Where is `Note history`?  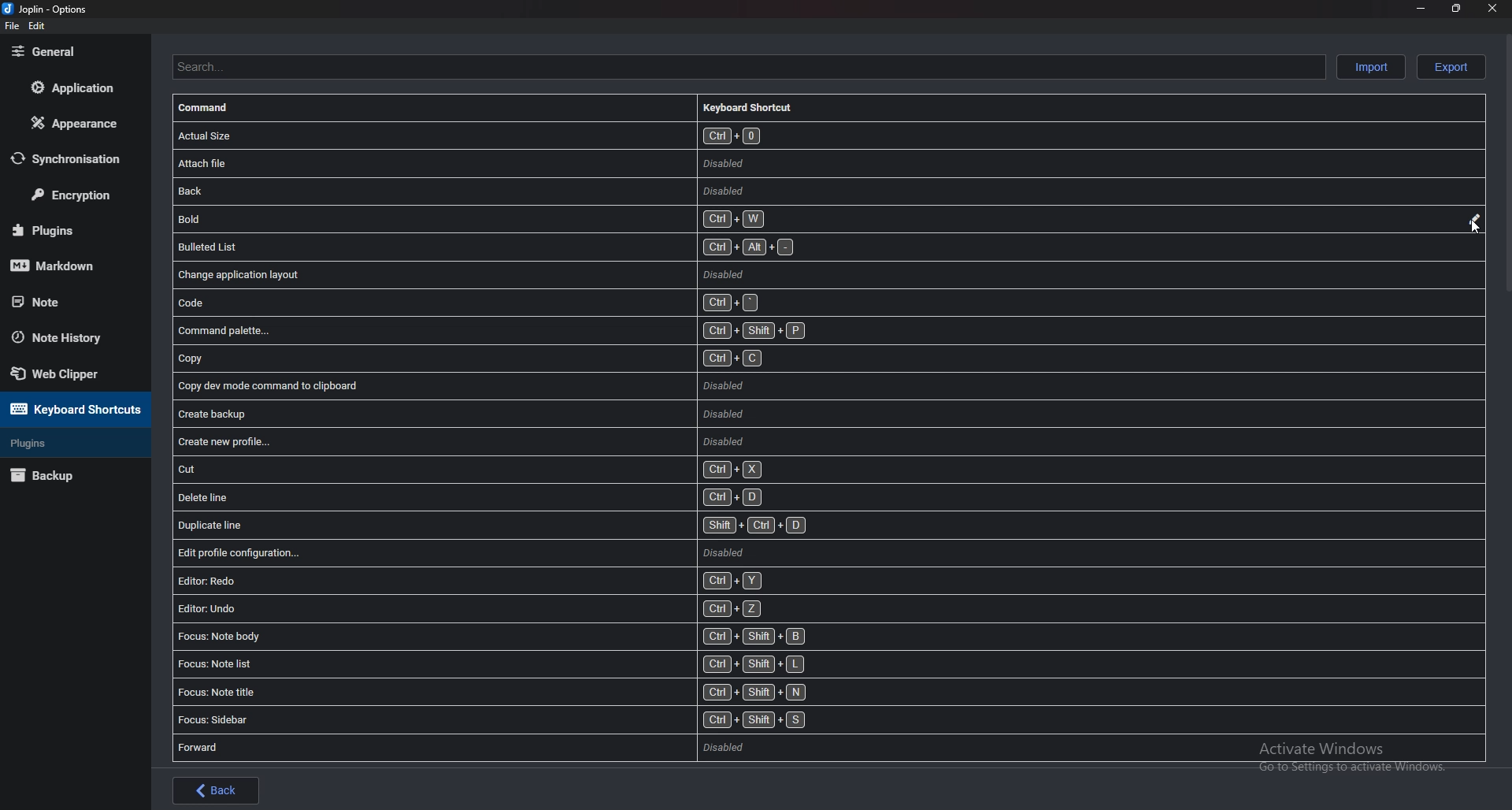 Note history is located at coordinates (71, 338).